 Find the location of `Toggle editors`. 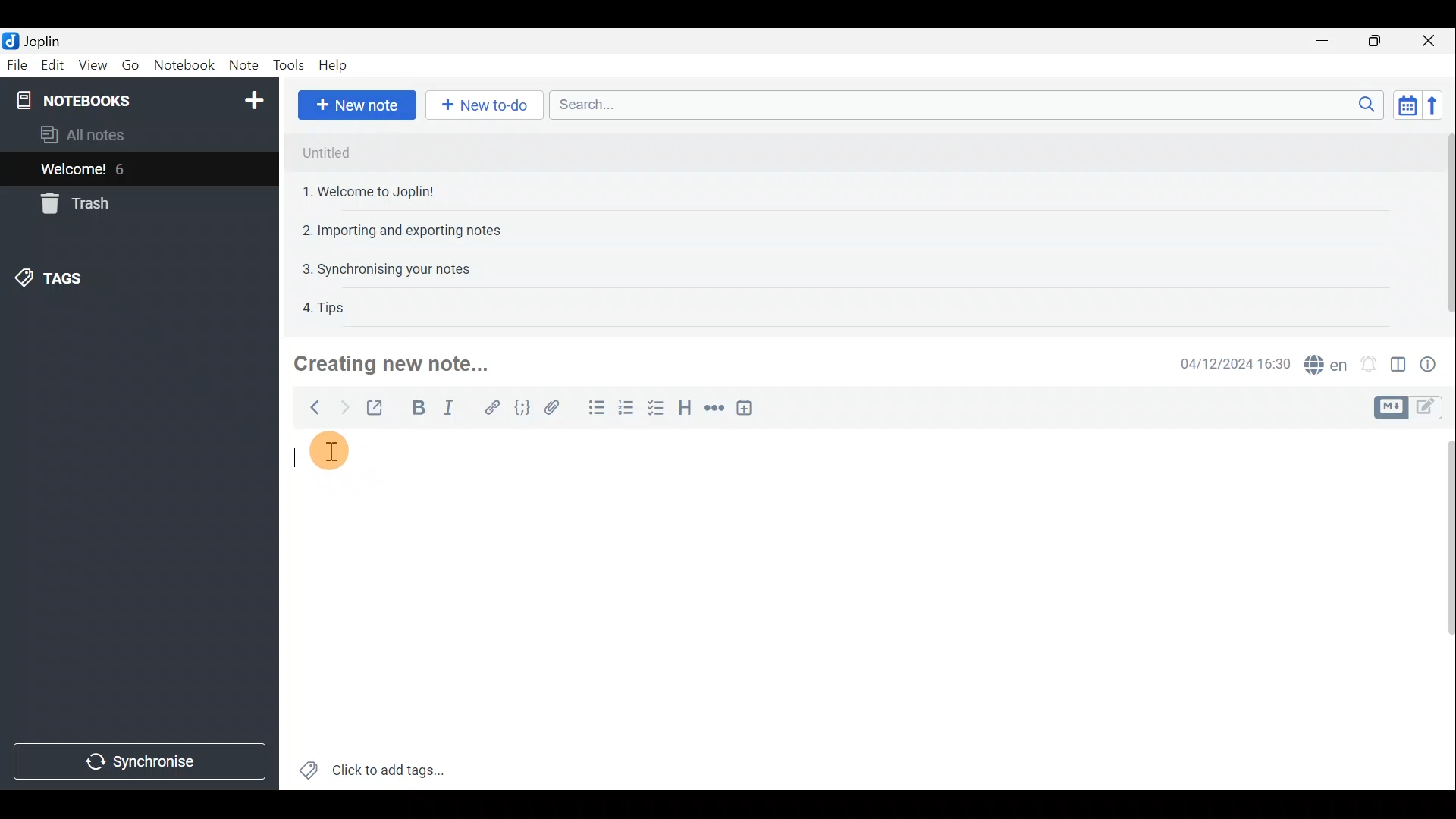

Toggle editors is located at coordinates (1389, 408).